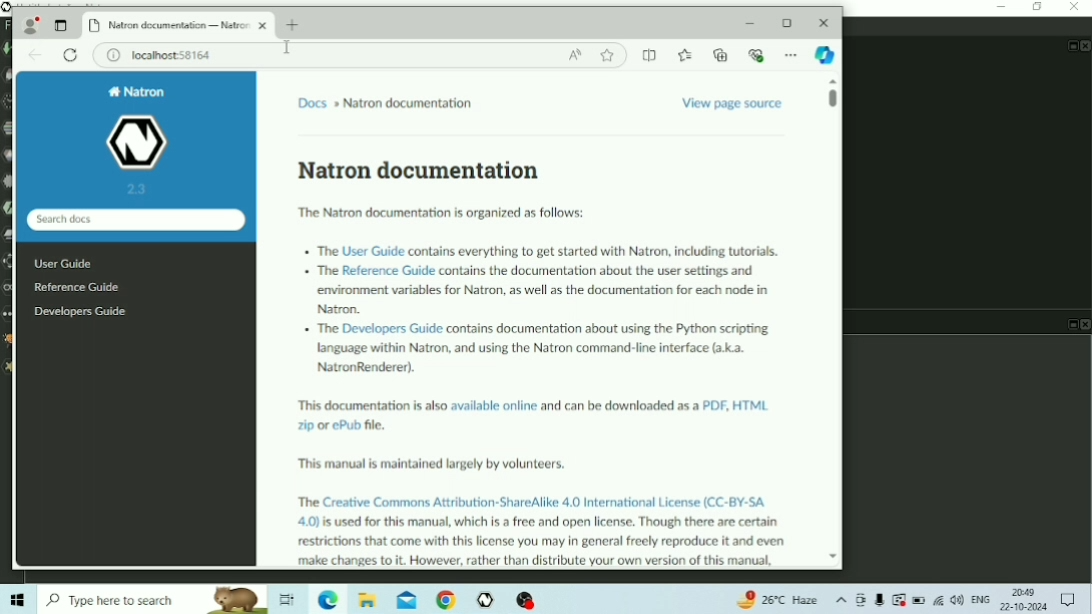 This screenshot has height=614, width=1092. What do you see at coordinates (539, 307) in the screenshot?
I see `+ The User Guide contains everything to get started with Natron, including tutoriak

+ The Reference Guide contains the documentation about the user settings and
‘environment variables for Natron, as well as the documentation for each node in
Natron.

. The Developers Guide contains documentation about using the Python scripting
tanguage within Natron, and using the Natron command-line interface (3.3.
NatronRenderer).` at bounding box center [539, 307].